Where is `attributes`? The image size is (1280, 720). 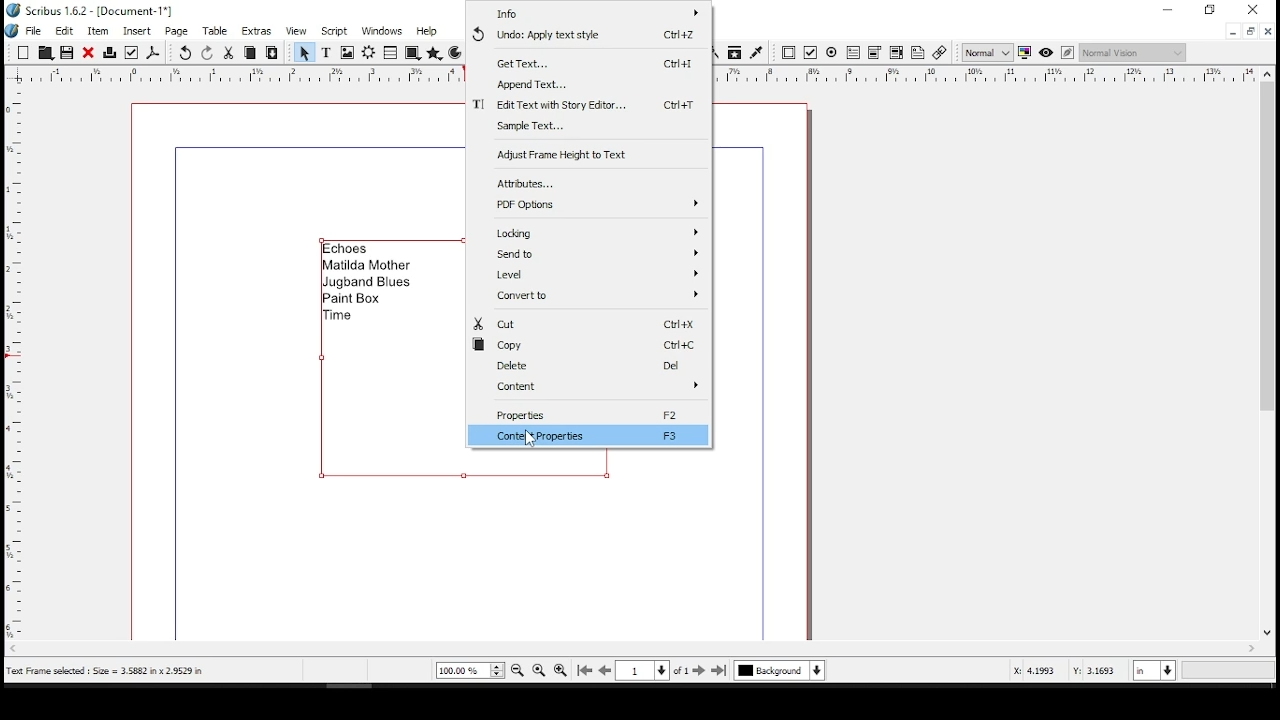
attributes is located at coordinates (592, 182).